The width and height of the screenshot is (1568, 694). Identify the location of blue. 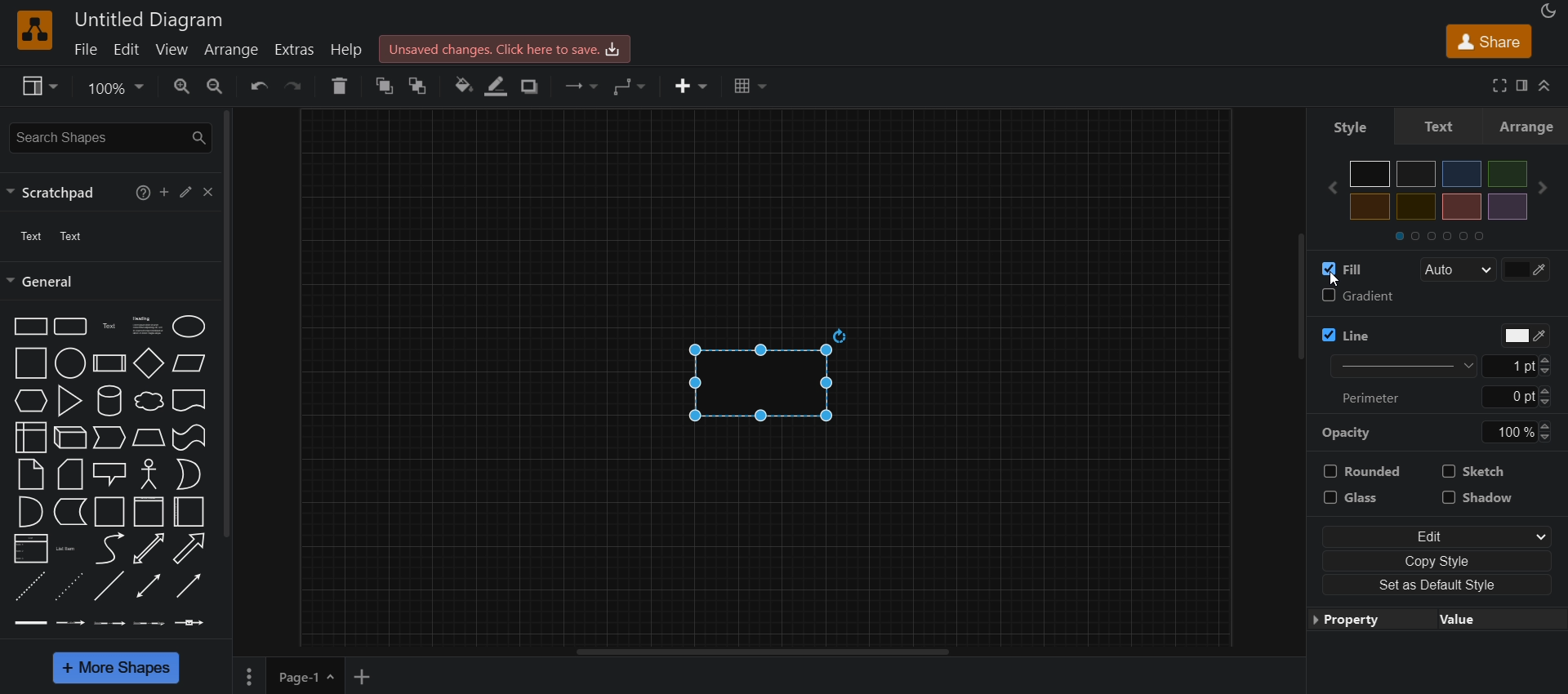
(1462, 174).